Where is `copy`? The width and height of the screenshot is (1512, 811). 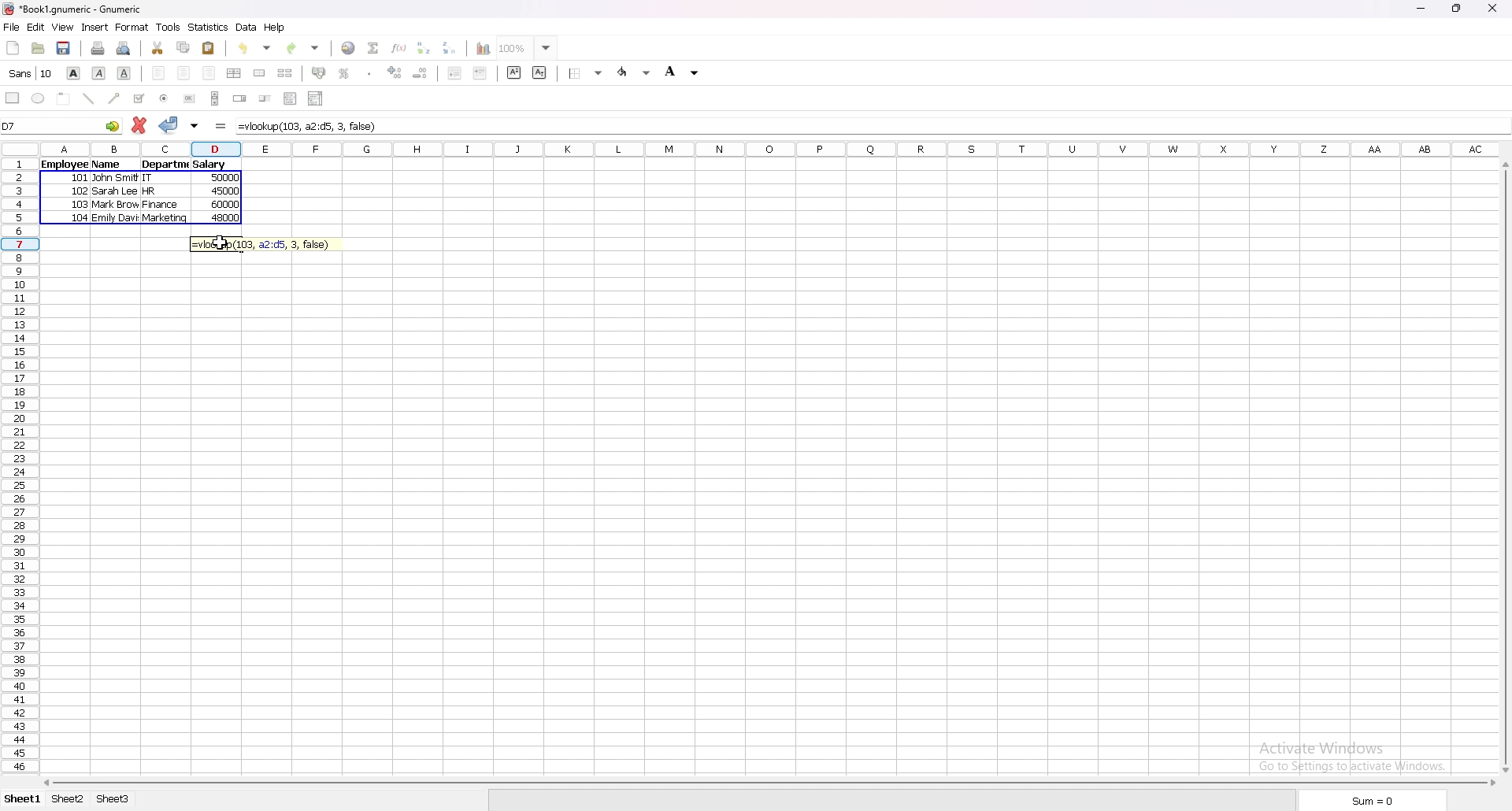
copy is located at coordinates (183, 47).